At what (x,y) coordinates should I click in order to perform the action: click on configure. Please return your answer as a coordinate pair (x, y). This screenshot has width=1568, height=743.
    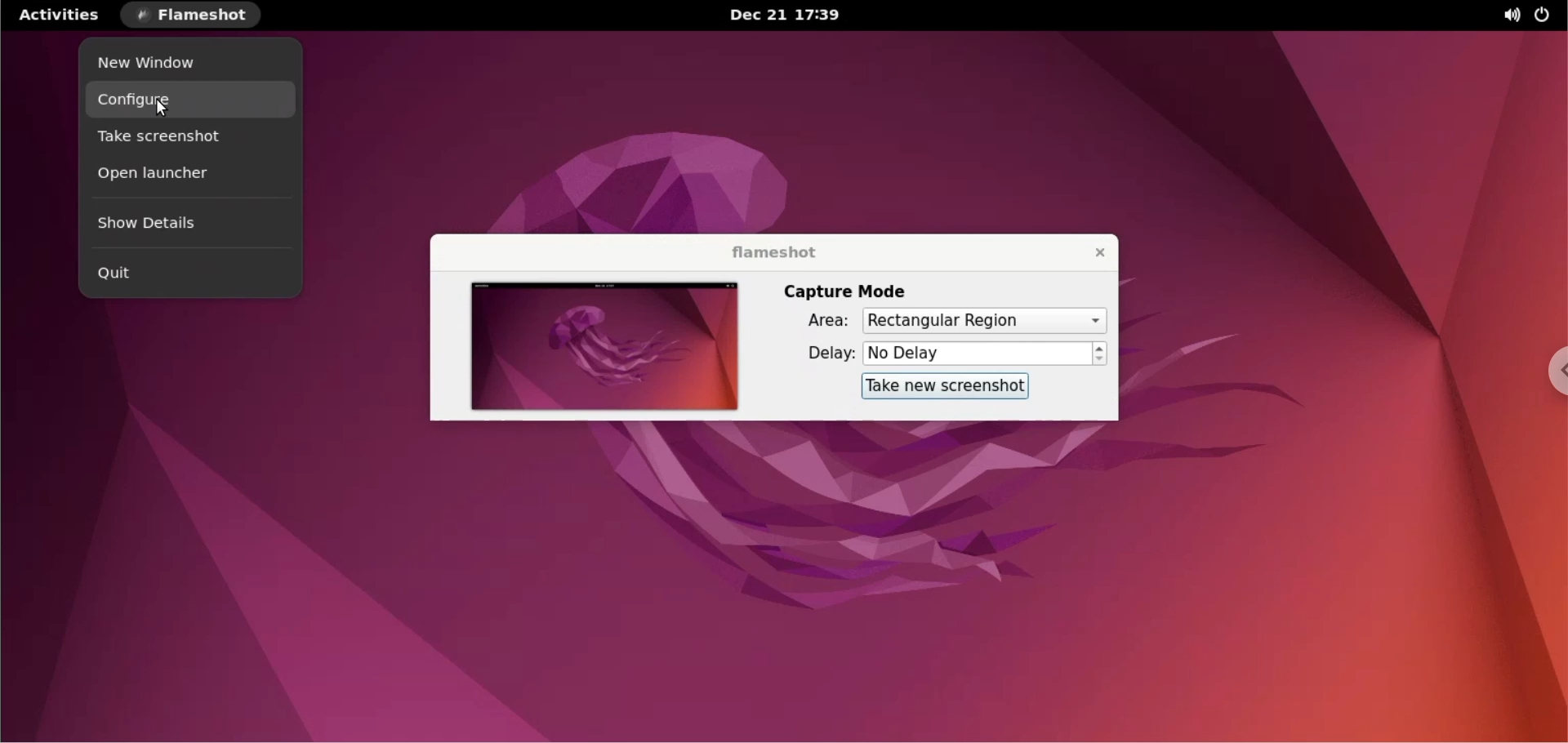
    Looking at the image, I should click on (192, 101).